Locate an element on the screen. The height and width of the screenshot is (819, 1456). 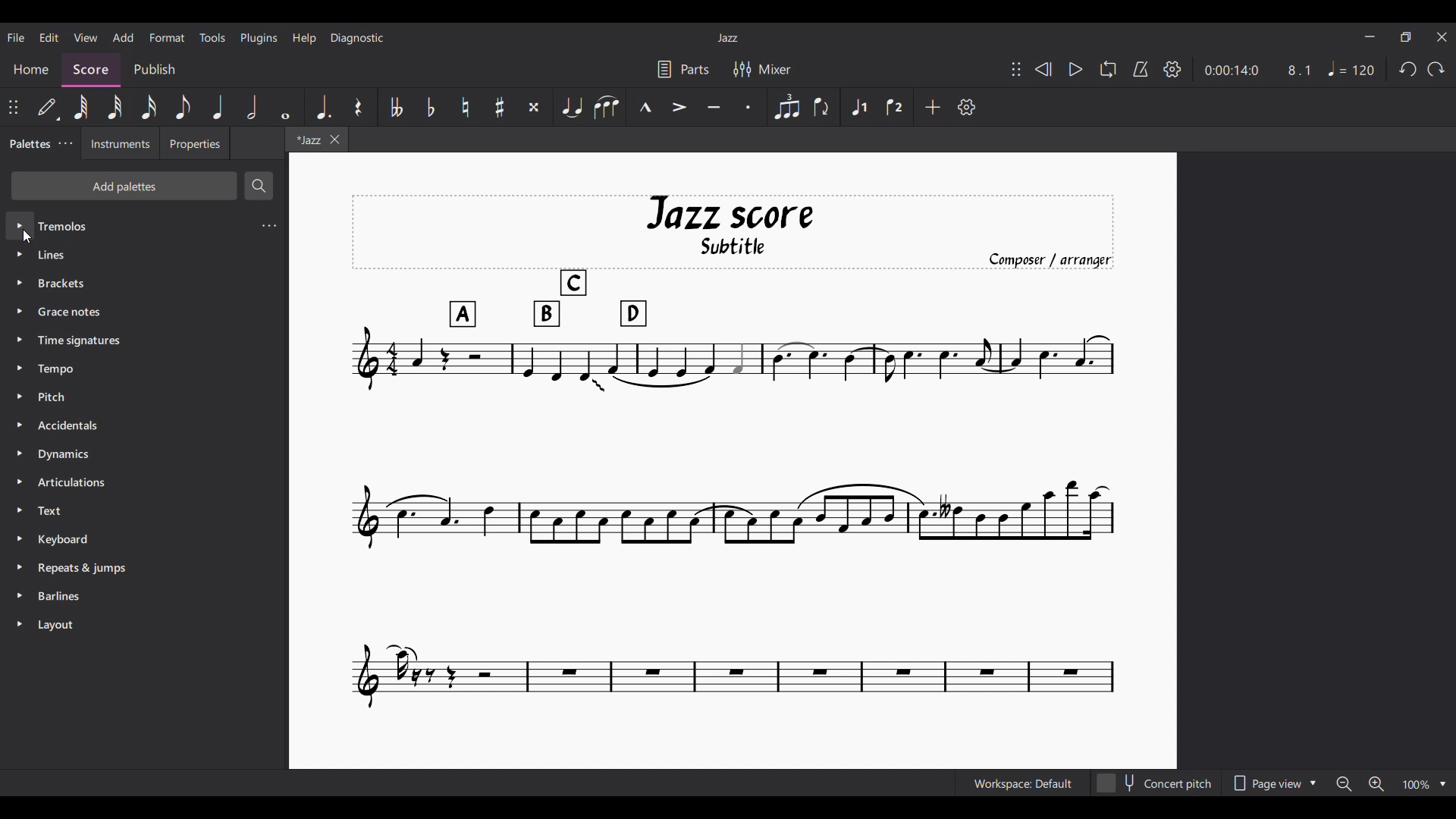
Half note is located at coordinates (252, 106).